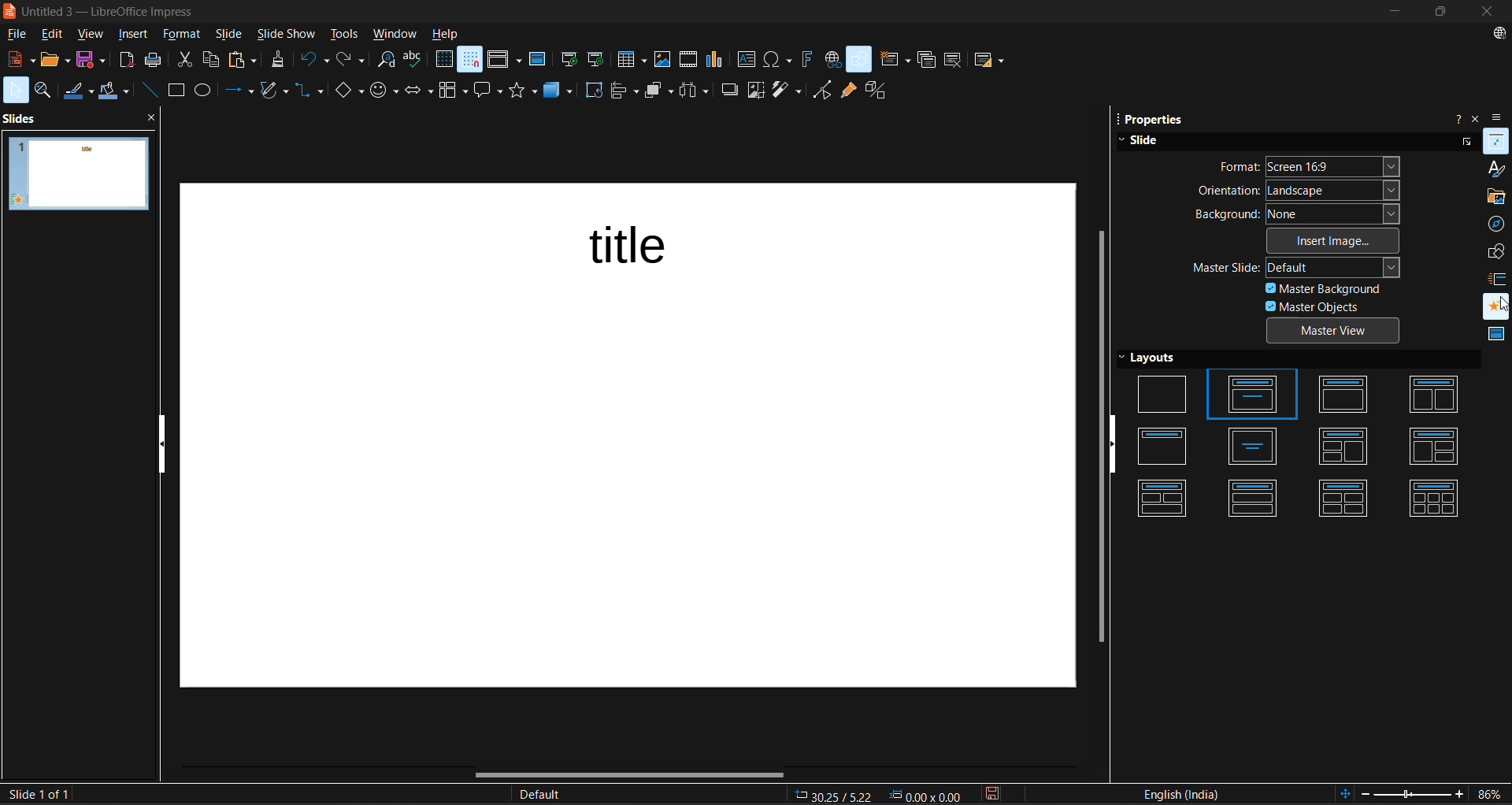 This screenshot has height=805, width=1512. What do you see at coordinates (471, 59) in the screenshot?
I see `snap to grid` at bounding box center [471, 59].